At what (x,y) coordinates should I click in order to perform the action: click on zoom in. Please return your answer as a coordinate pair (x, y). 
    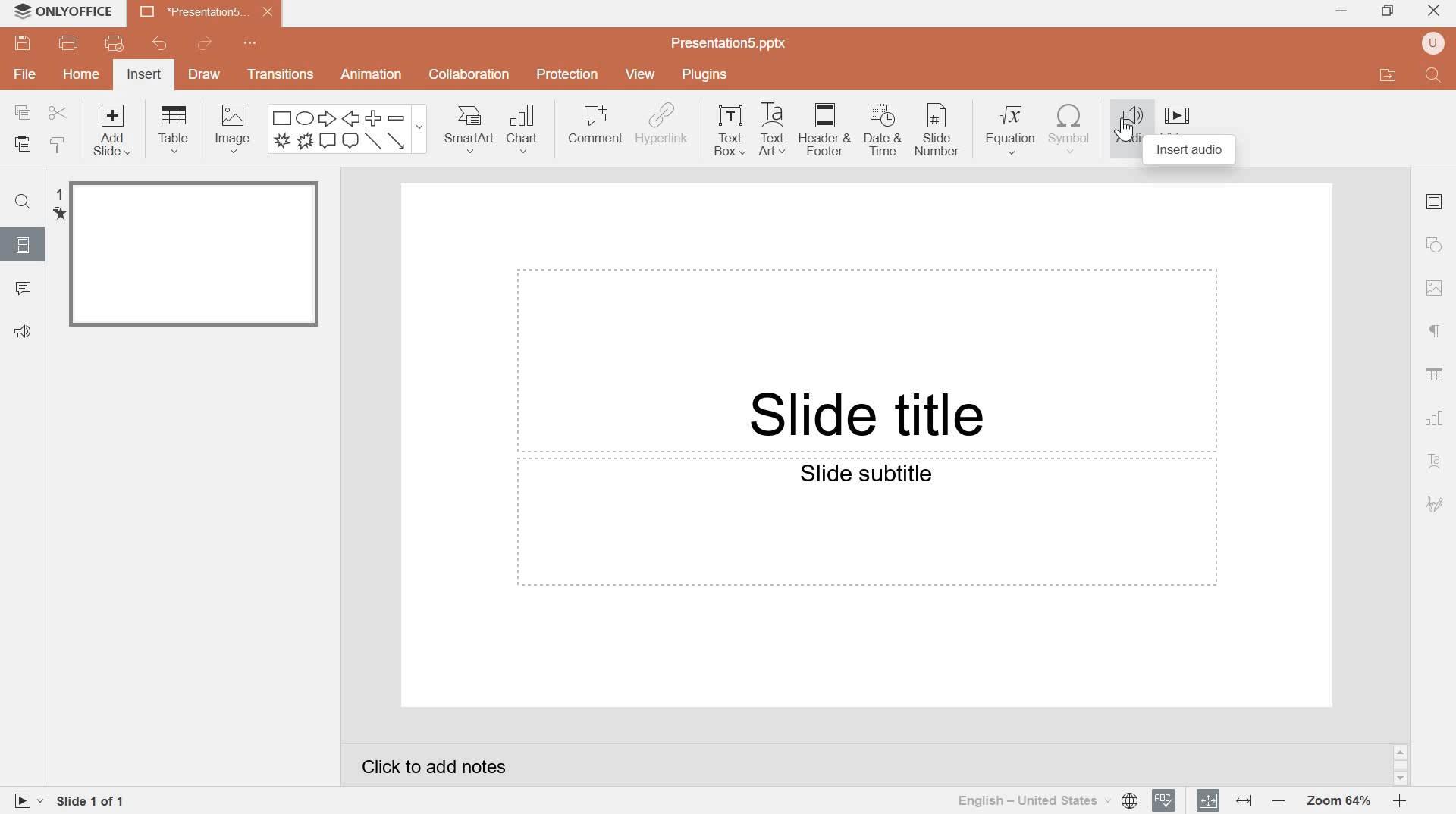
    Looking at the image, I should click on (1399, 800).